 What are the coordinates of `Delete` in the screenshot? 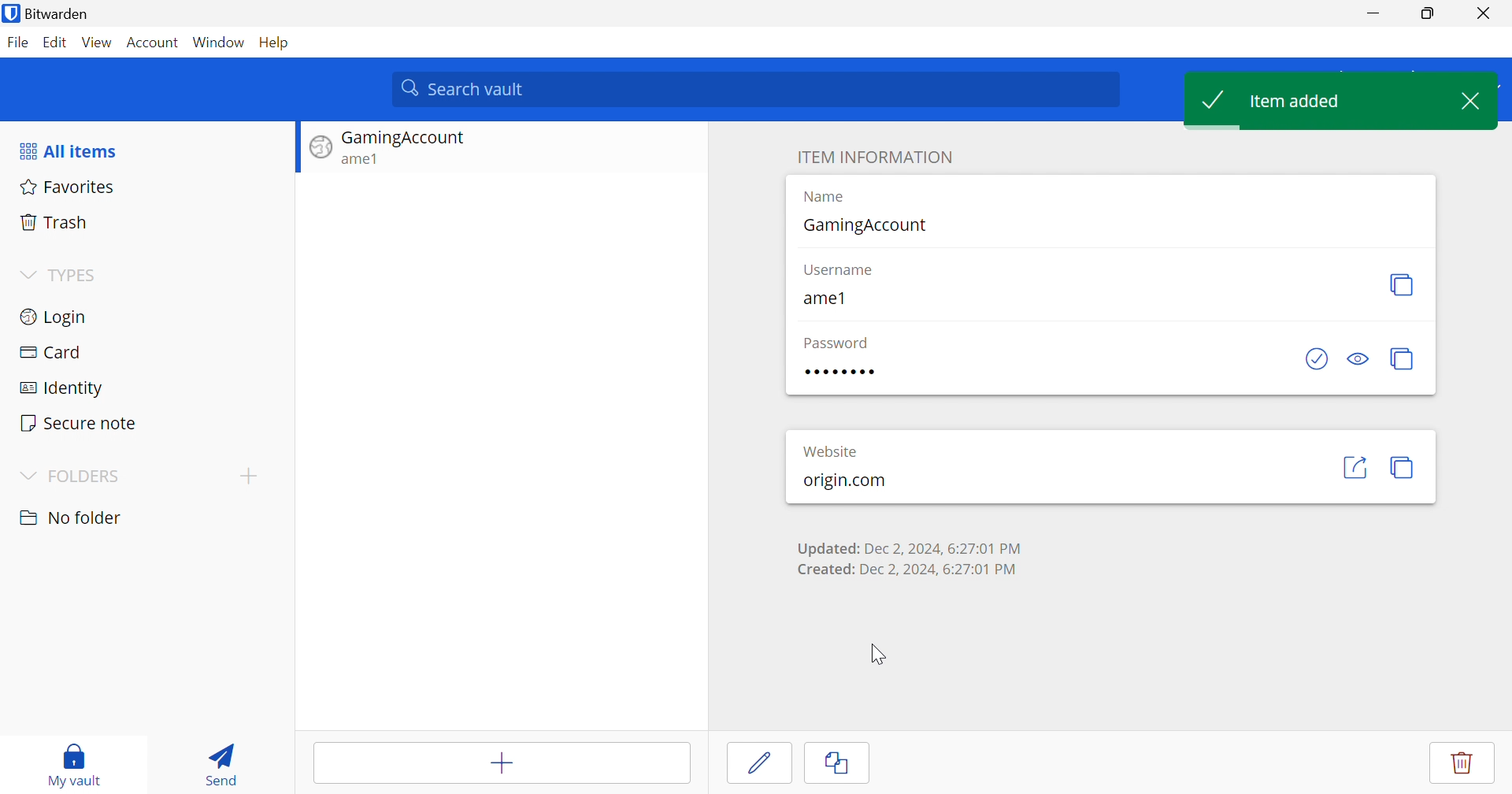 It's located at (1462, 765).